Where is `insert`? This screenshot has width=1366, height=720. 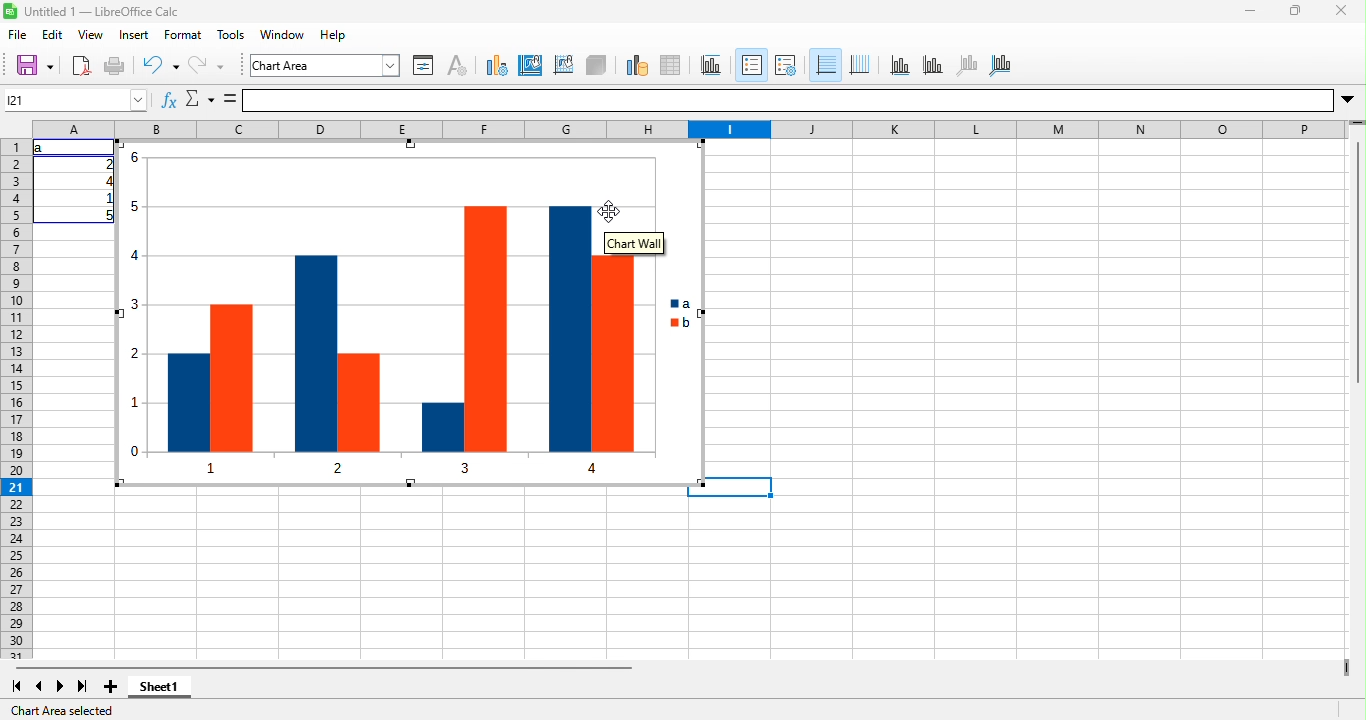 insert is located at coordinates (135, 34).